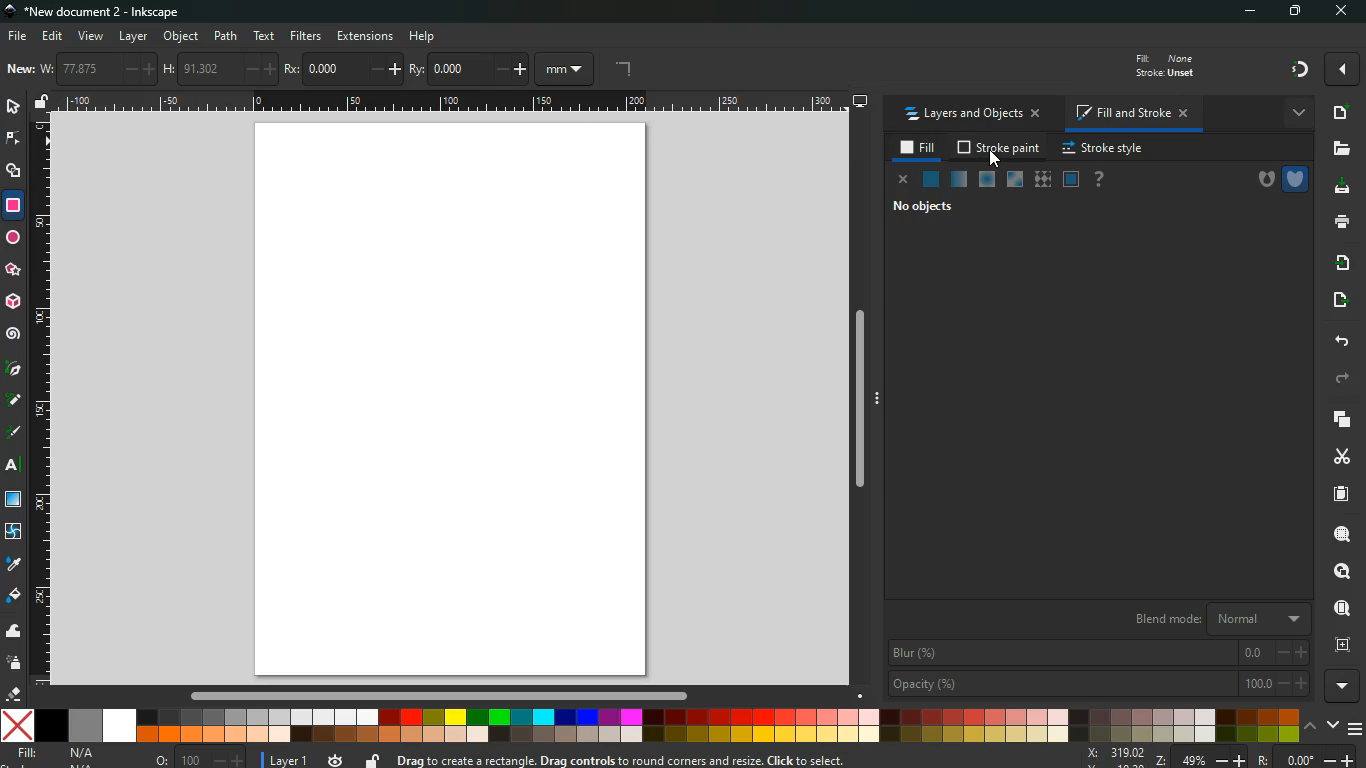 Image resolution: width=1366 pixels, height=768 pixels. I want to click on rx, so click(342, 70).